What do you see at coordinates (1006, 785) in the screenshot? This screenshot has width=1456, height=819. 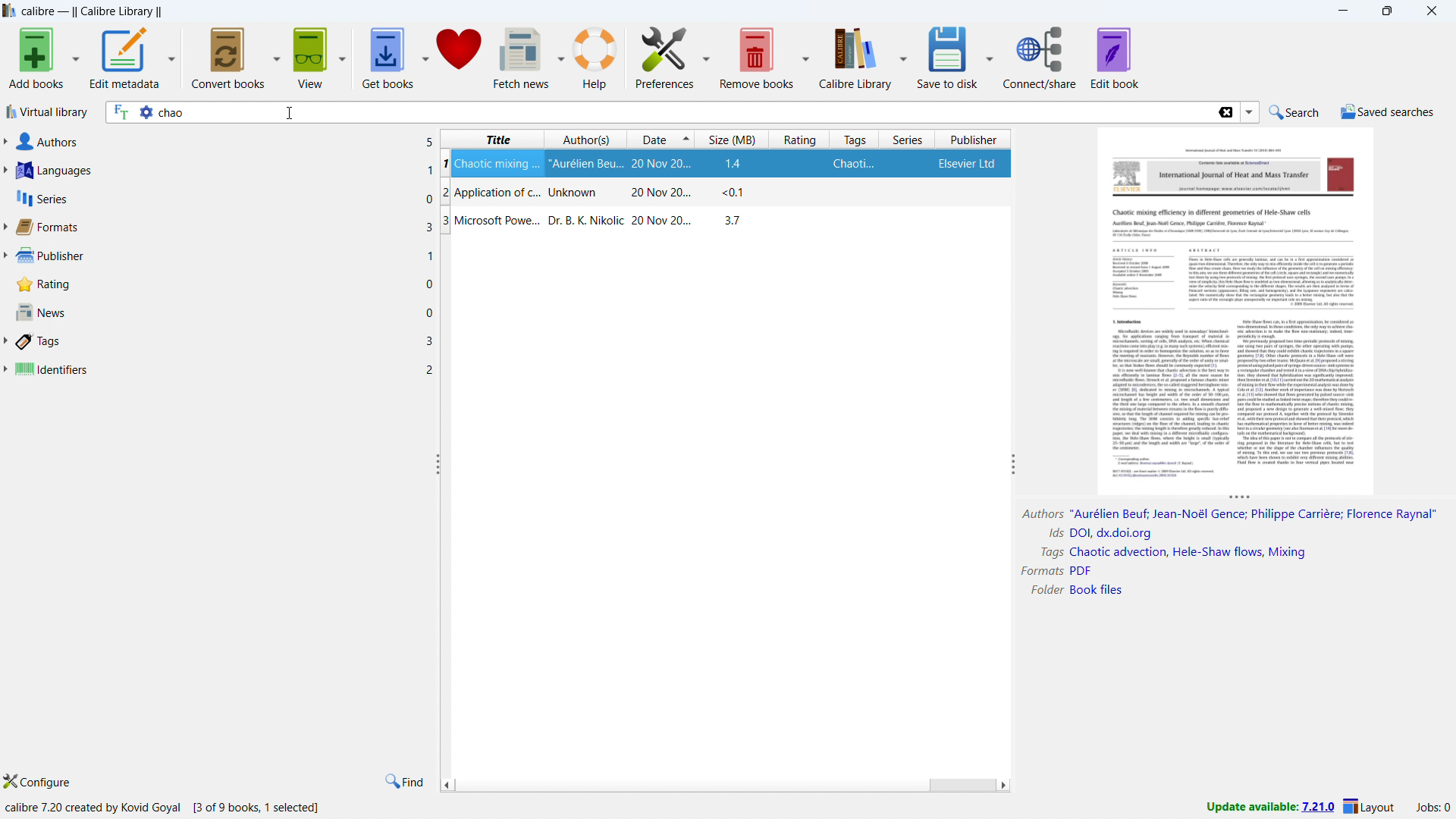 I see `scroll right` at bounding box center [1006, 785].